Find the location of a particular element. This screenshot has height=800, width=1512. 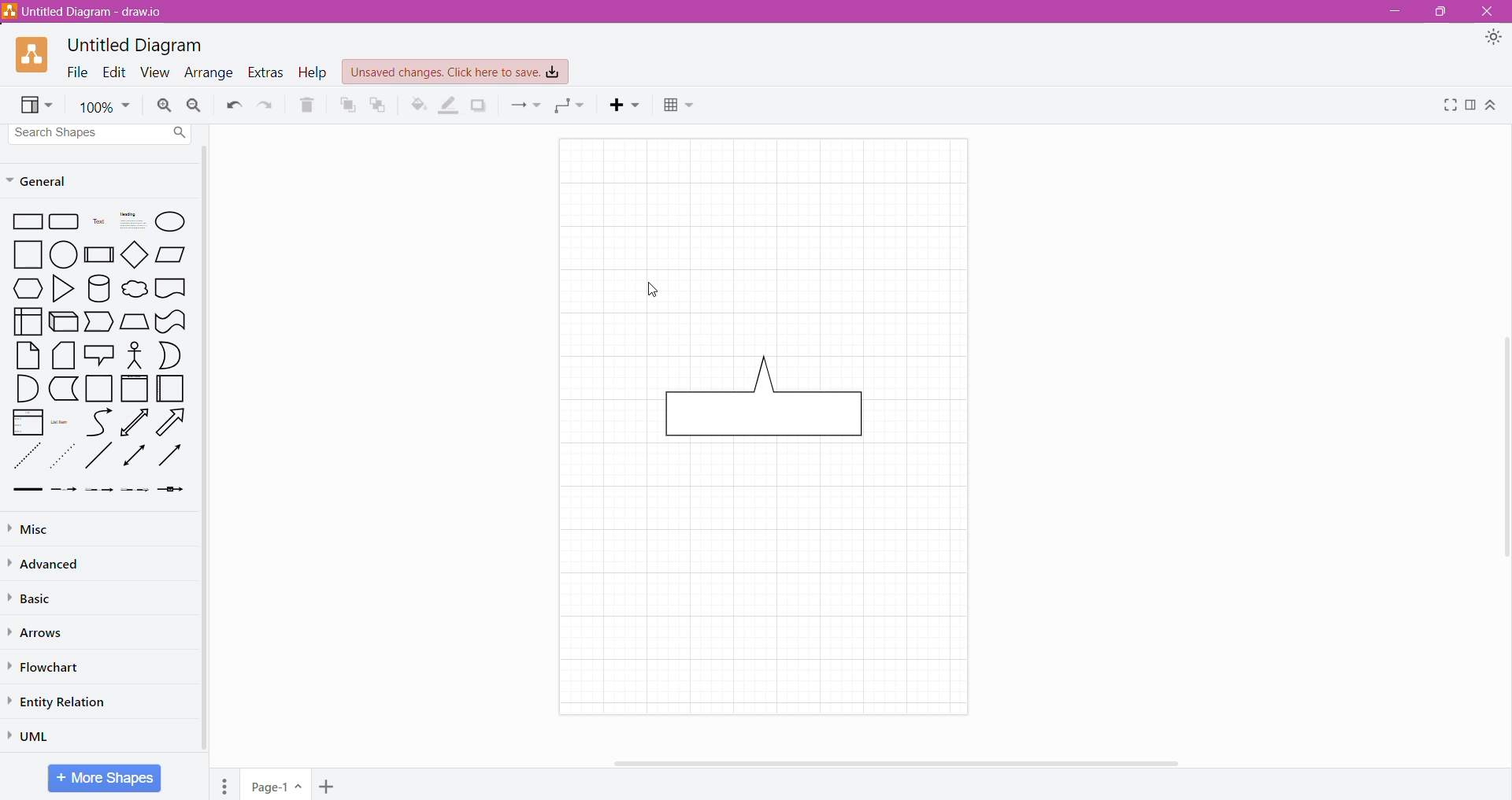

Edit is located at coordinates (114, 72).